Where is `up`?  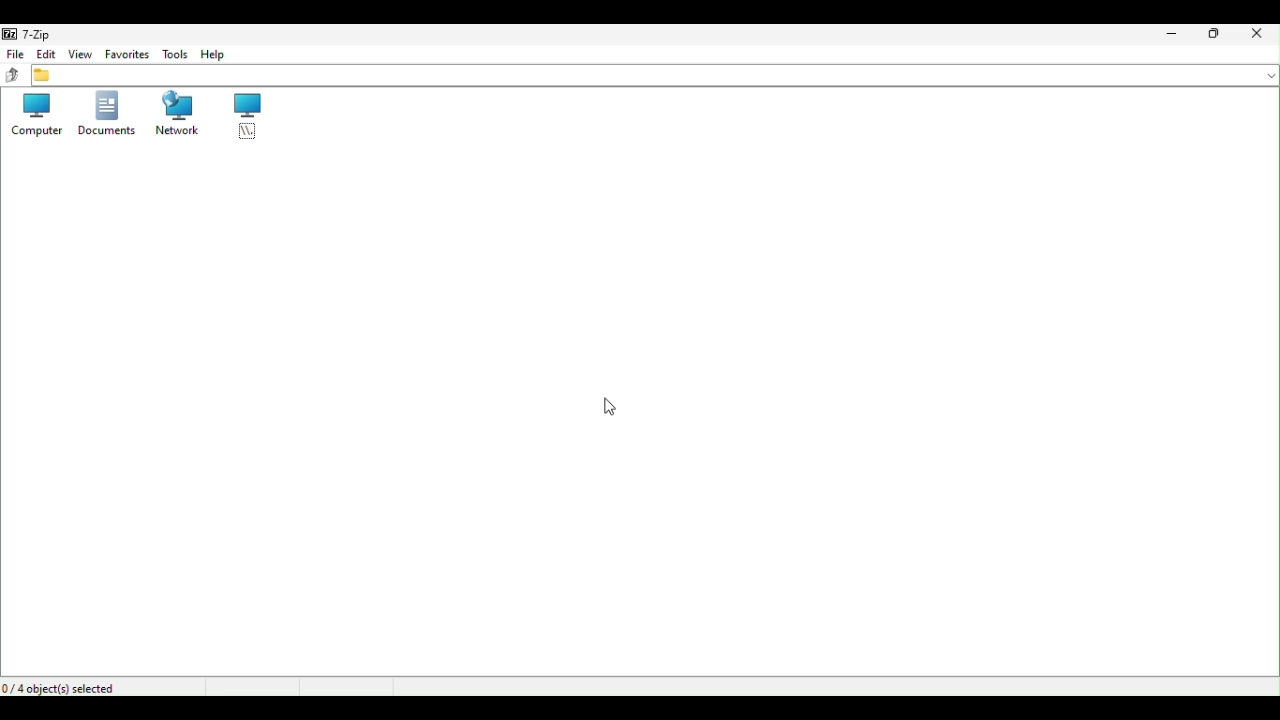 up is located at coordinates (15, 74).